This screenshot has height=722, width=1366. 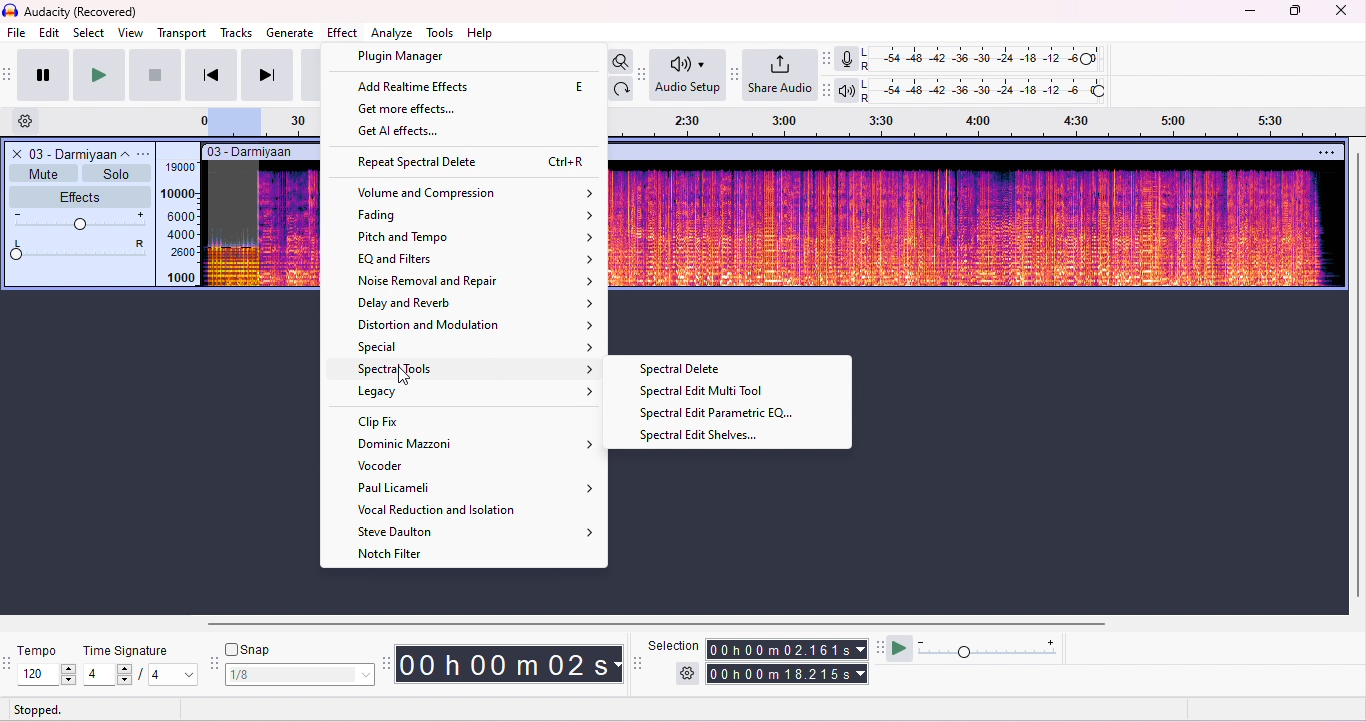 What do you see at coordinates (476, 259) in the screenshot?
I see `EQ and filters` at bounding box center [476, 259].